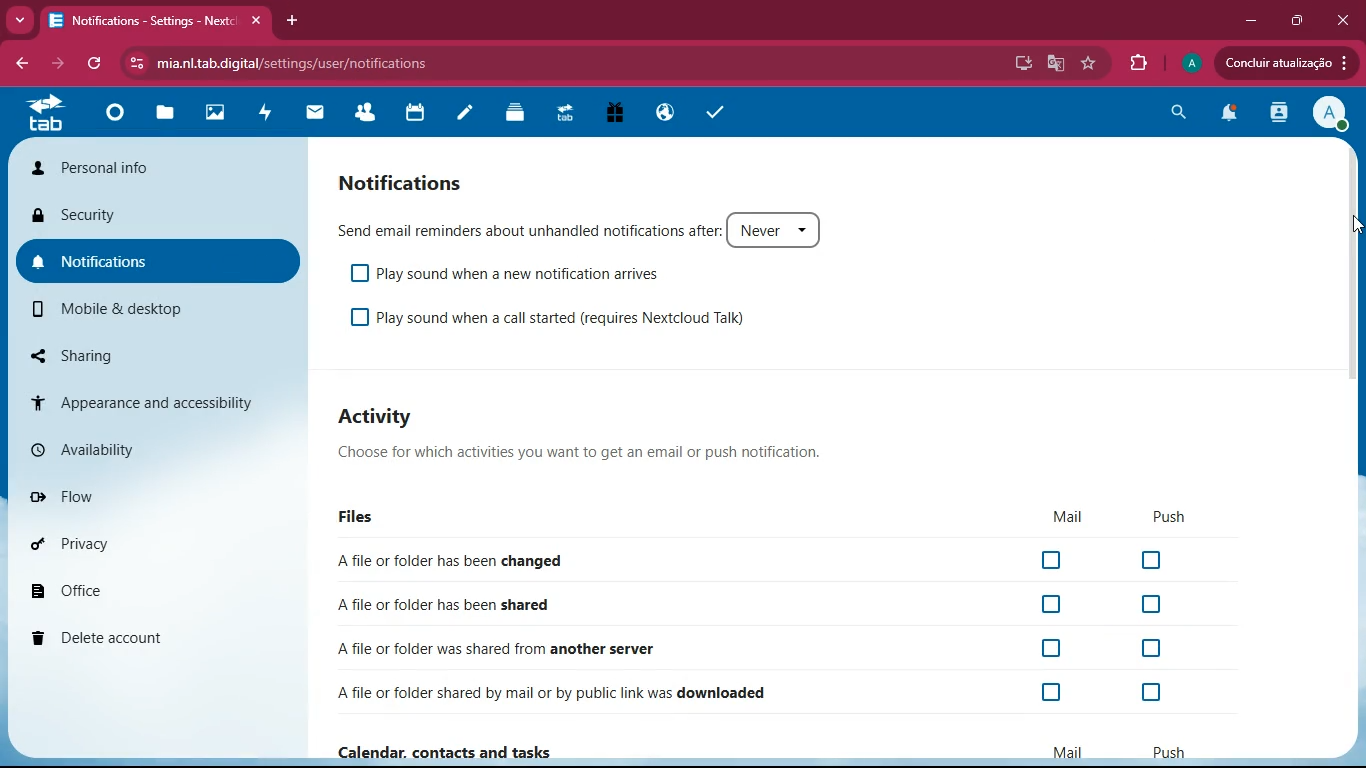 This screenshot has height=768, width=1366. Describe the element at coordinates (548, 322) in the screenshot. I see `Play sound when a call started (requires Nextcloud Talk)` at that location.